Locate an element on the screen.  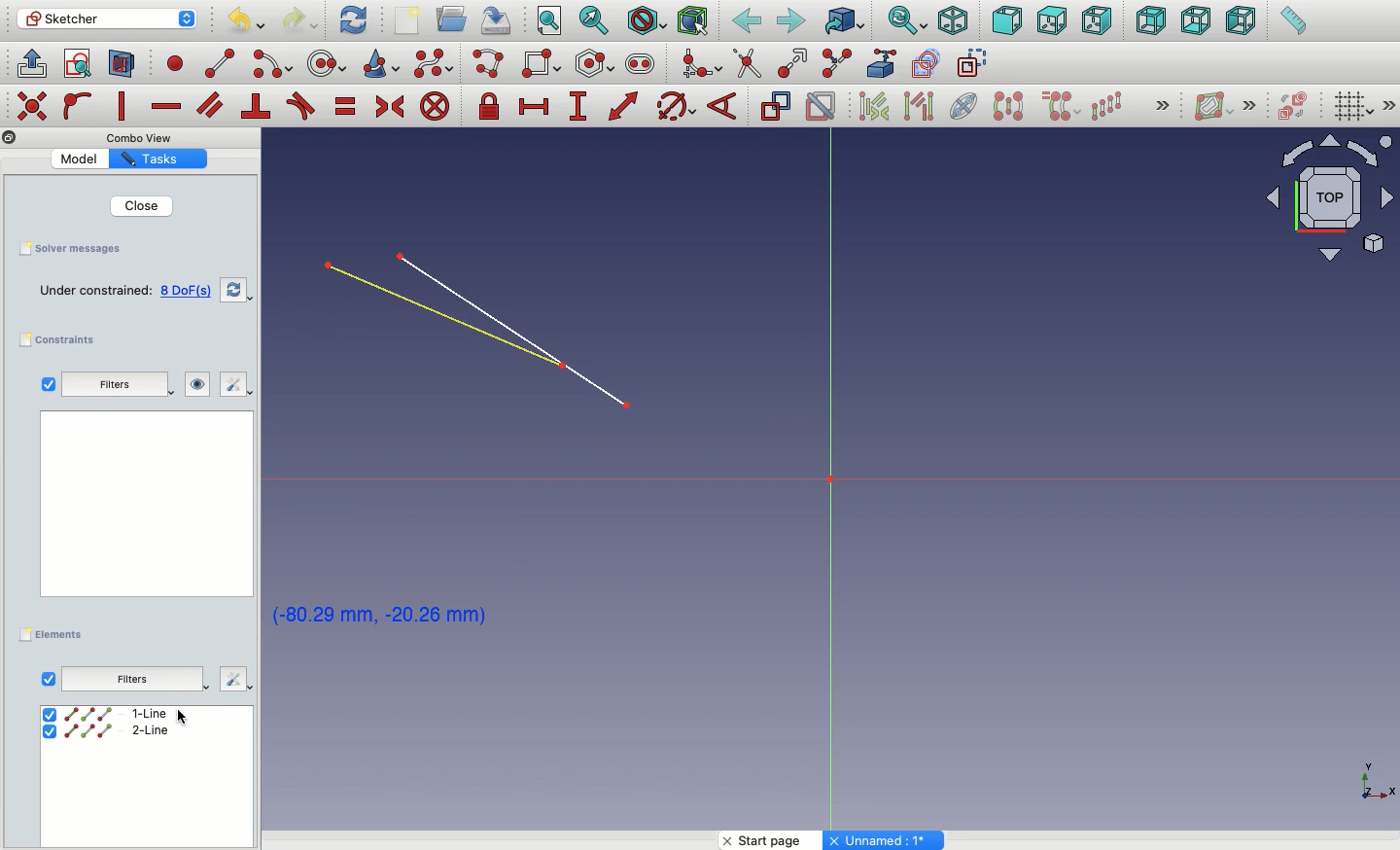
Visibility  is located at coordinates (188, 384).